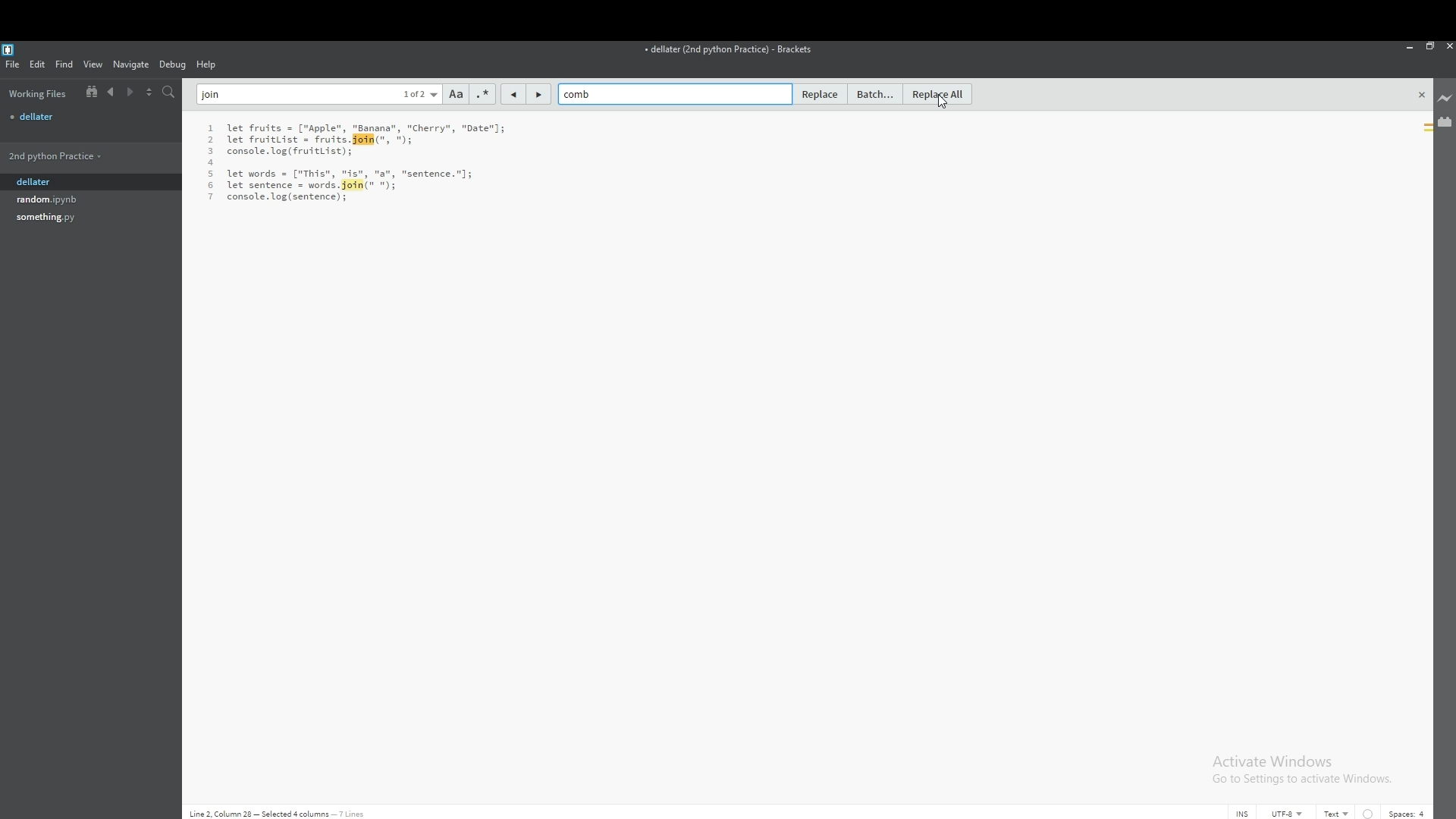 The image size is (1456, 819). I want to click on file, so click(89, 116).